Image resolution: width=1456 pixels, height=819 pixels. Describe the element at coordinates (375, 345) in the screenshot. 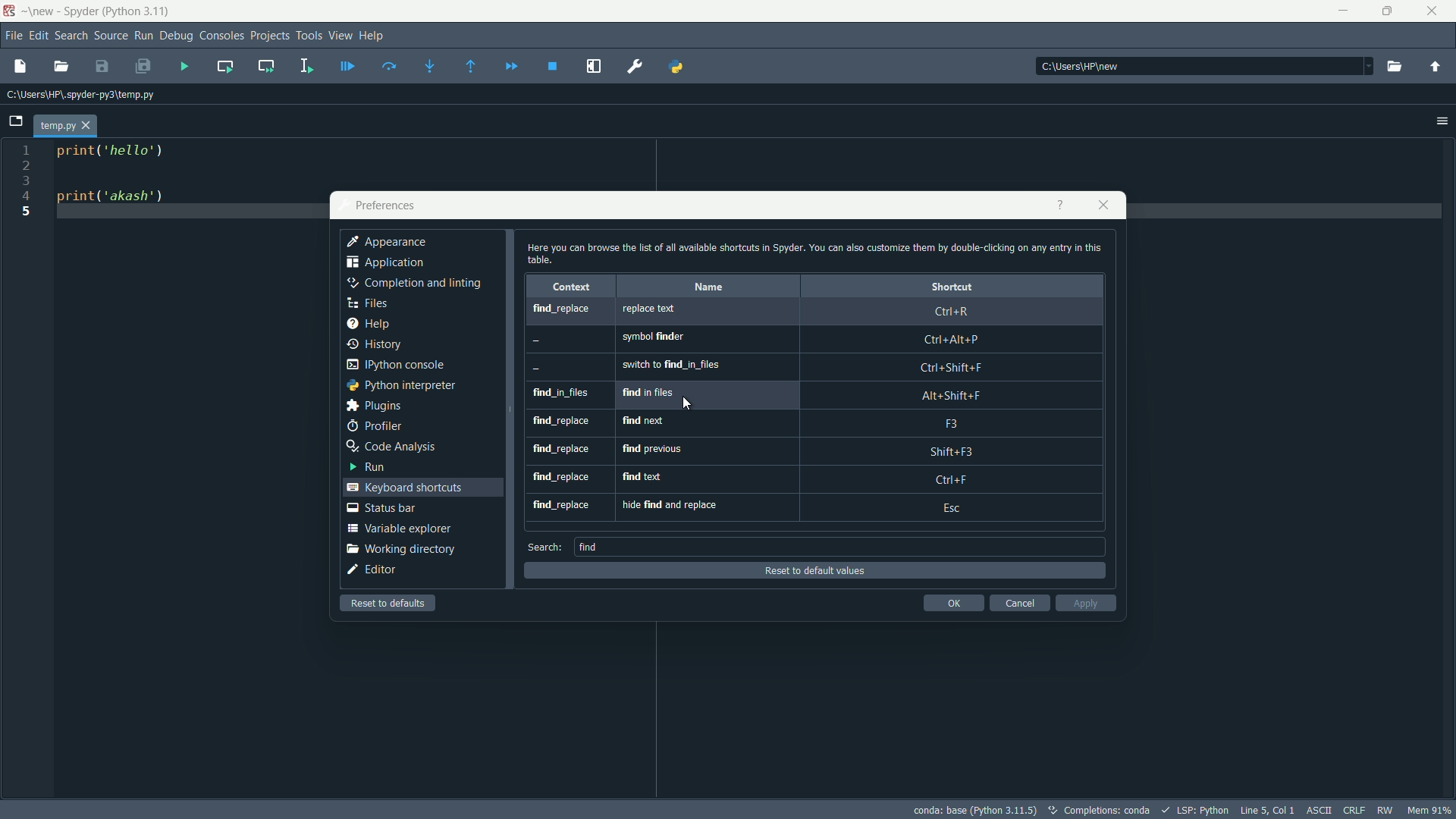

I see `history ` at that location.